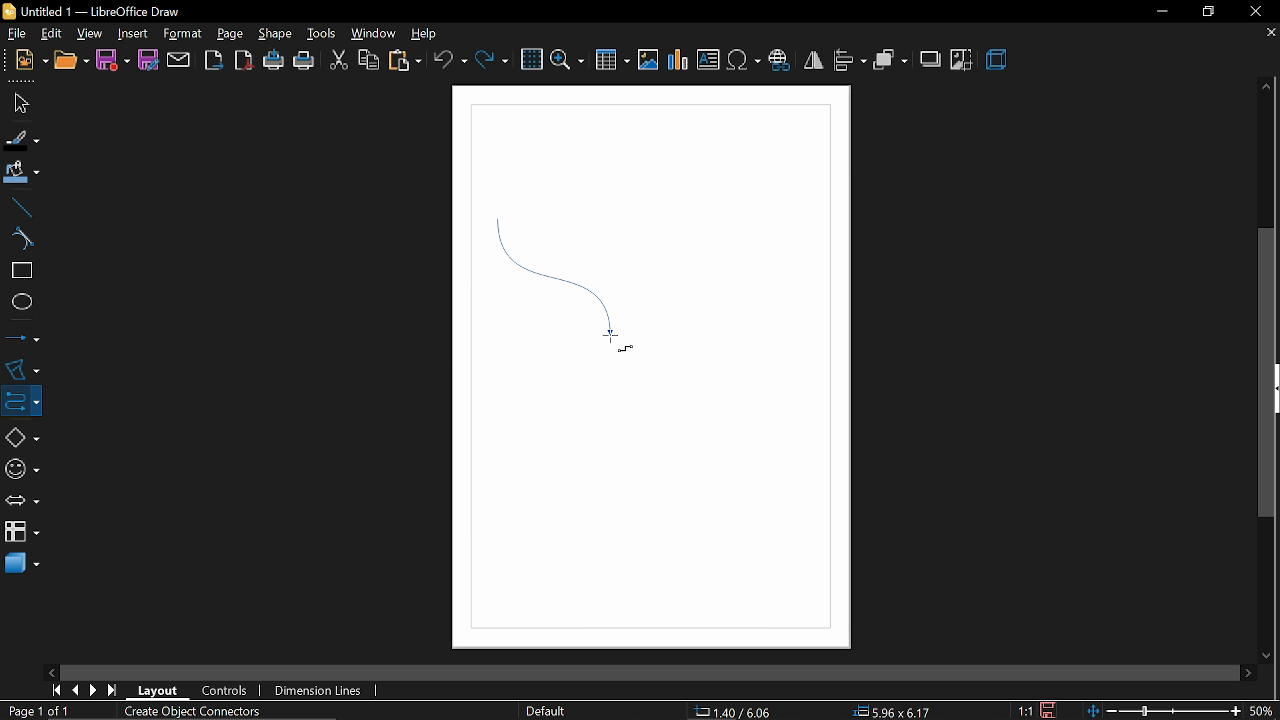 This screenshot has height=720, width=1280. Describe the element at coordinates (93, 690) in the screenshot. I see `next page` at that location.